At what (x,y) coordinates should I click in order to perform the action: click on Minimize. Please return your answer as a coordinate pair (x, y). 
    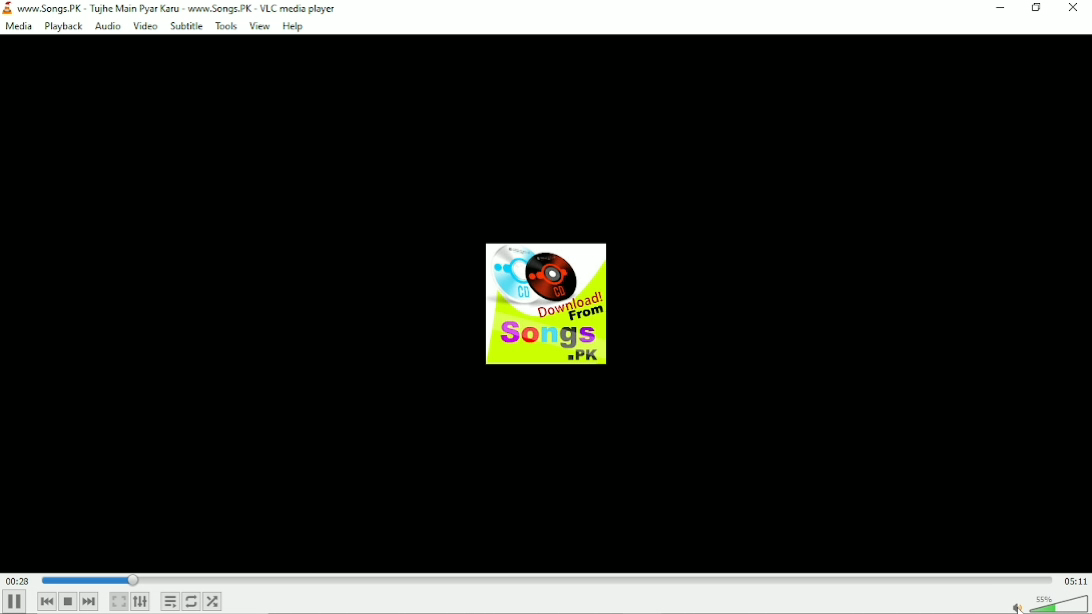
    Looking at the image, I should click on (999, 8).